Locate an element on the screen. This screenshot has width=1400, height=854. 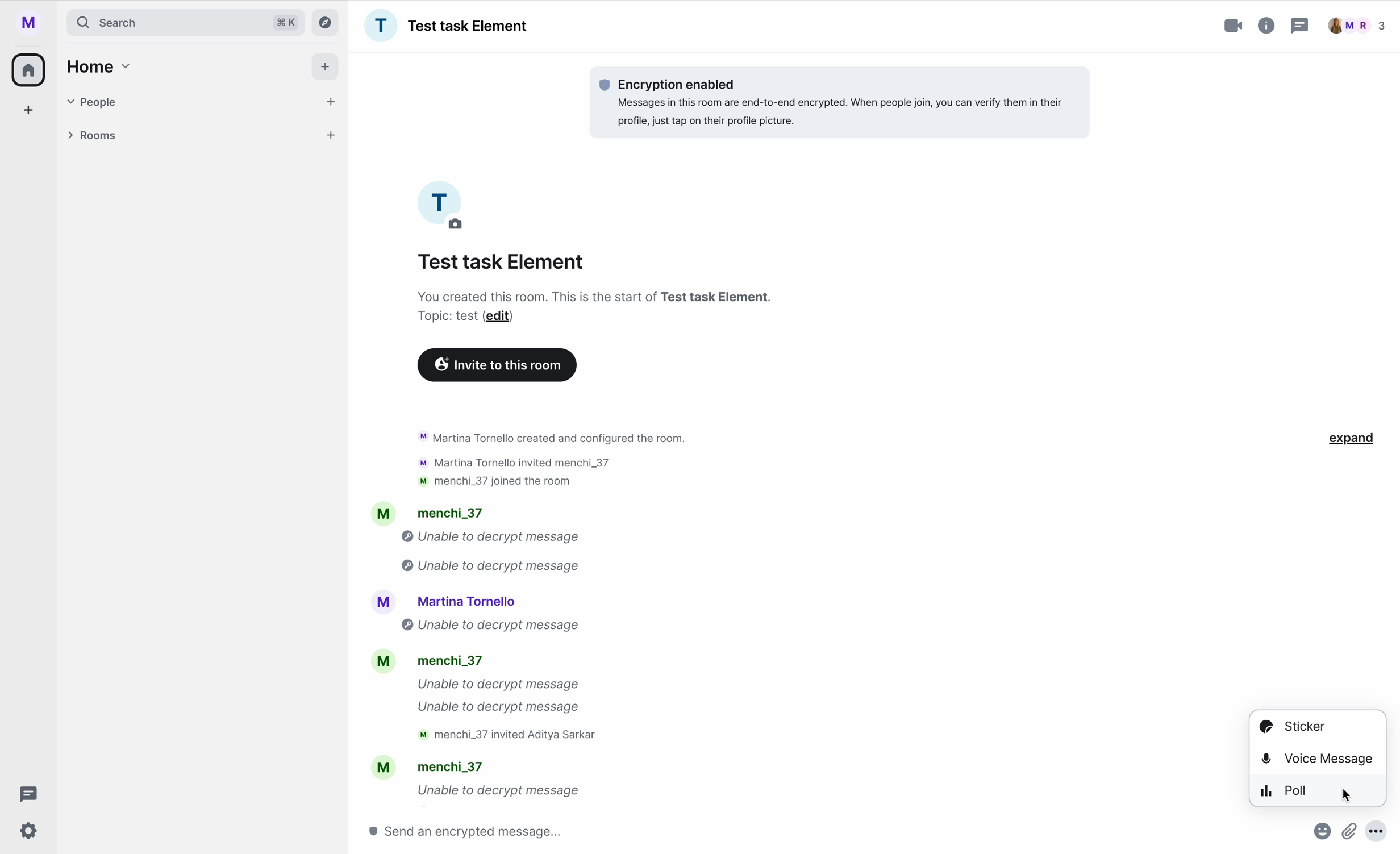
add is located at coordinates (327, 69).